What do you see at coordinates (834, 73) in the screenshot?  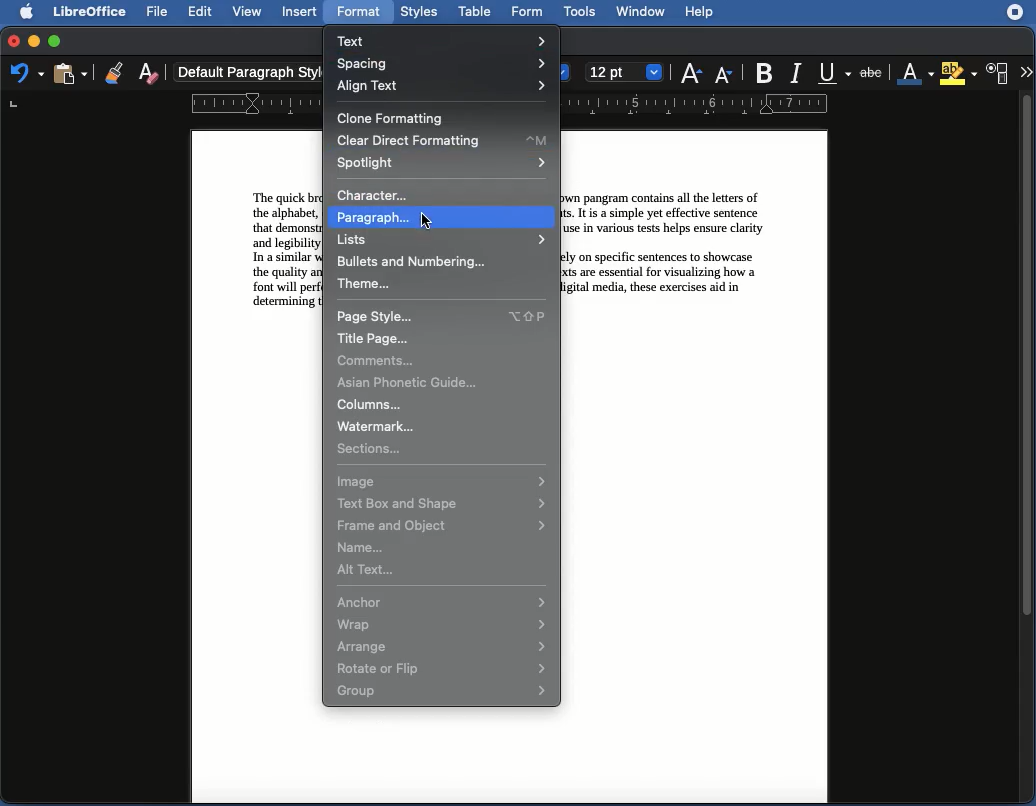 I see `Underline` at bounding box center [834, 73].